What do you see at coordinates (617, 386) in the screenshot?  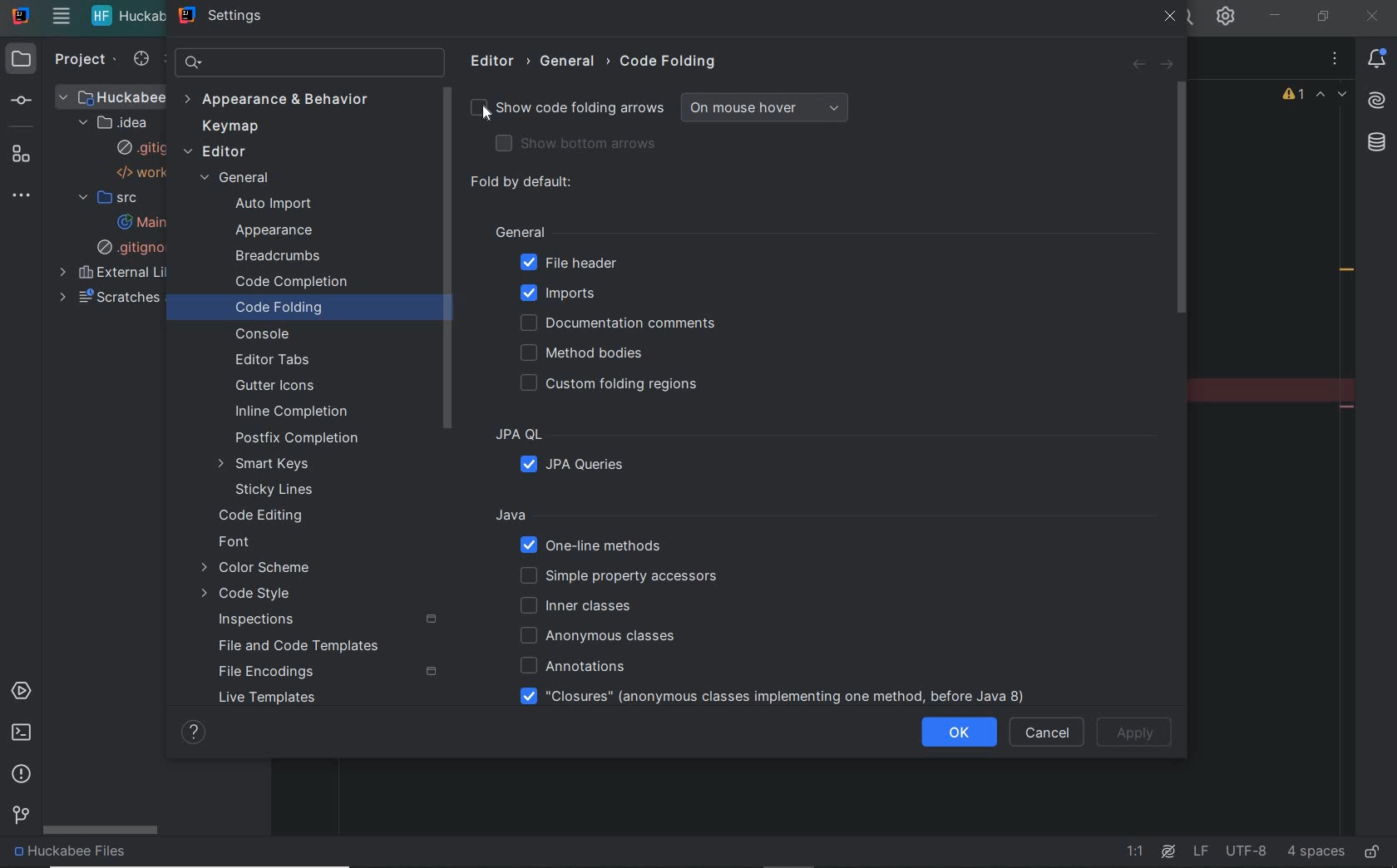 I see `custom folding regions` at bounding box center [617, 386].